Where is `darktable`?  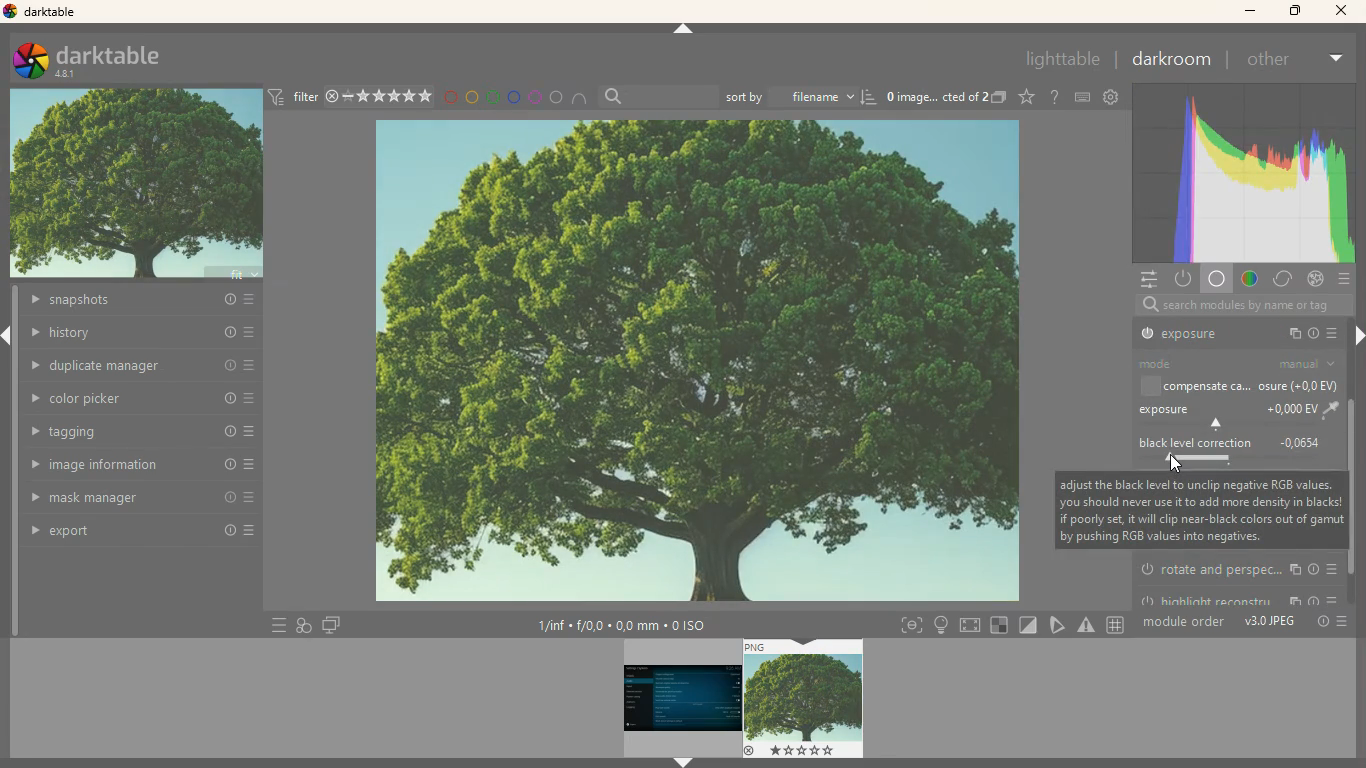
darktable is located at coordinates (43, 12).